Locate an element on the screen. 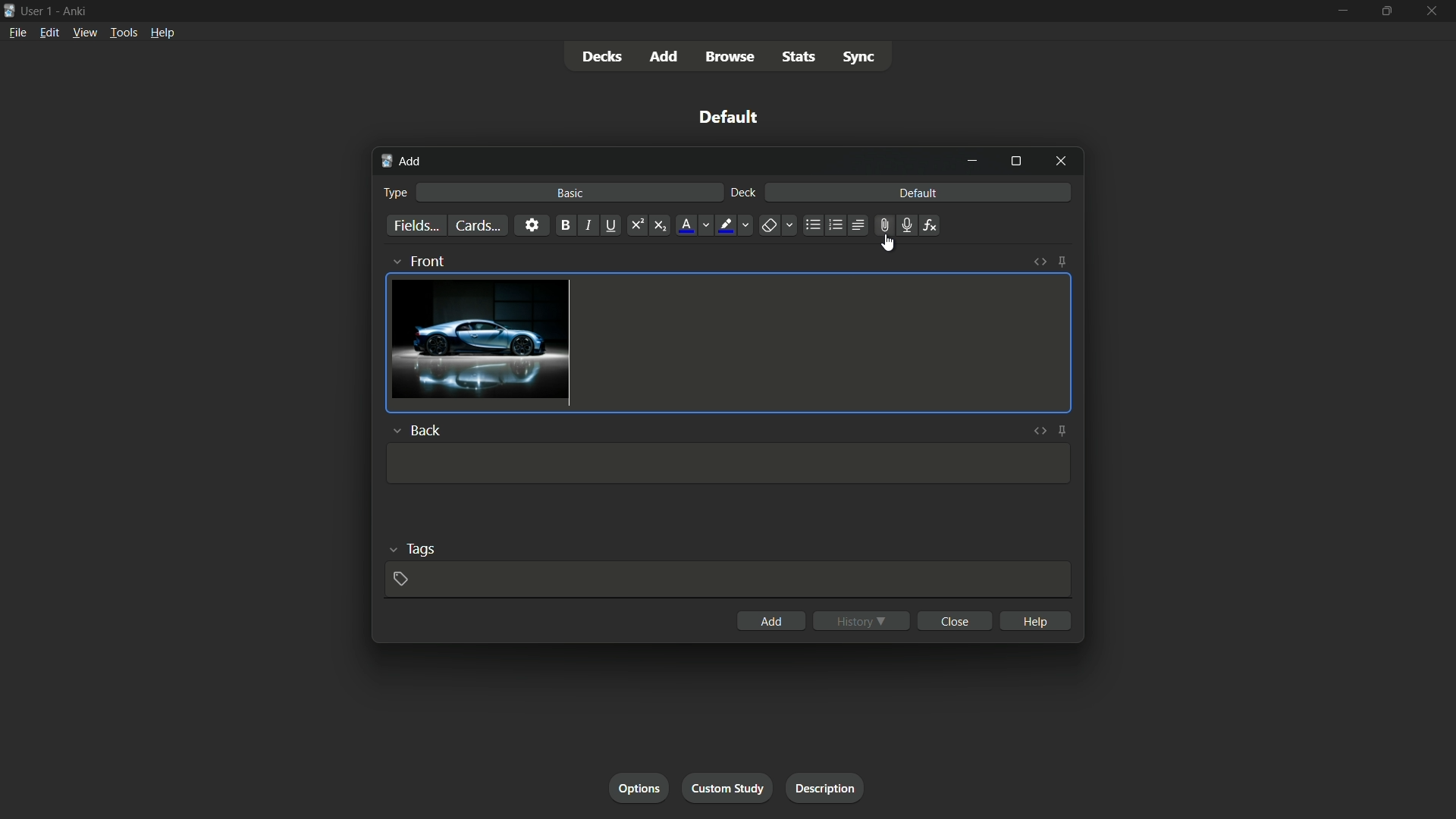  italic is located at coordinates (589, 225).